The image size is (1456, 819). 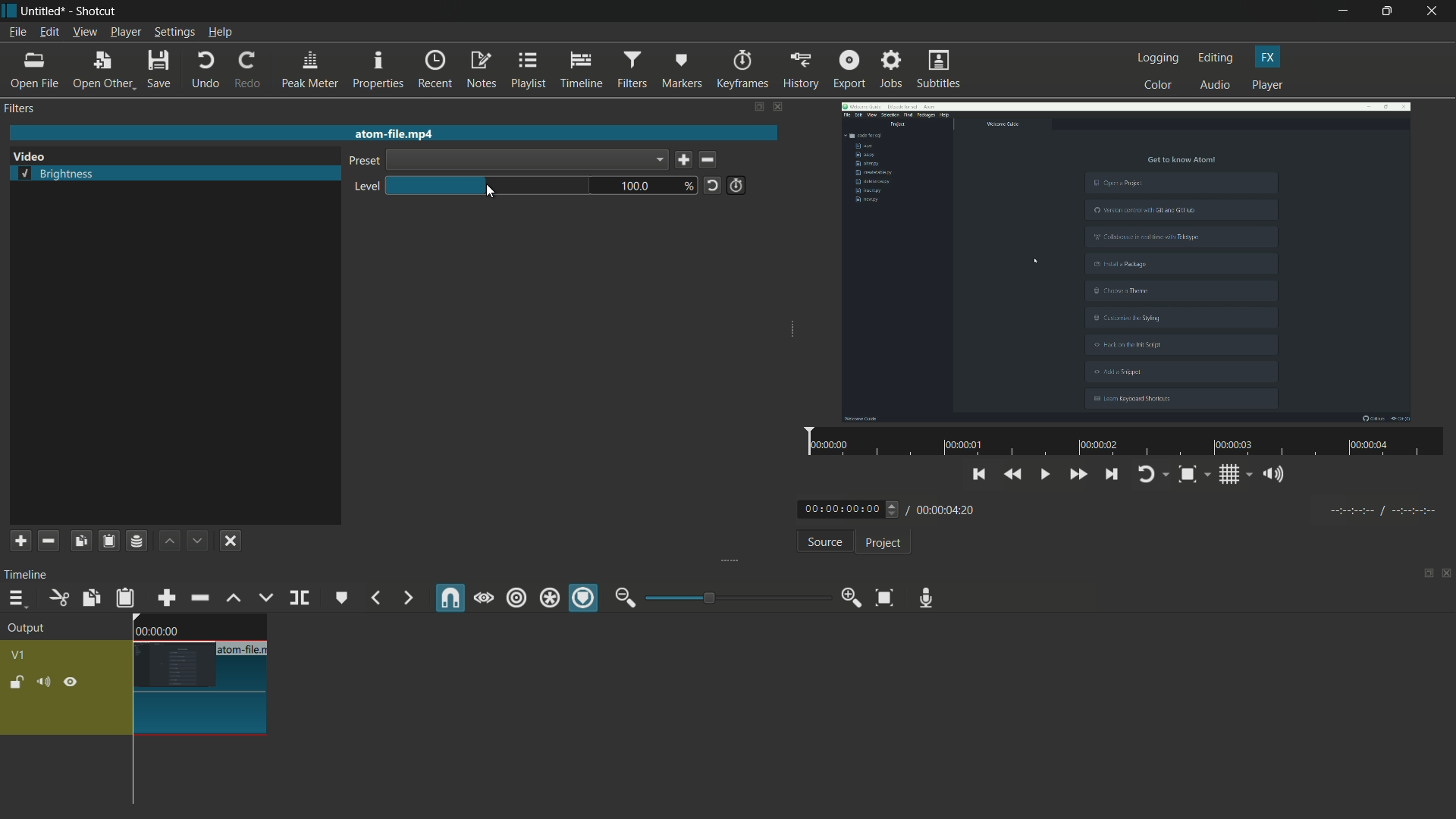 What do you see at coordinates (233, 598) in the screenshot?
I see `lift` at bounding box center [233, 598].